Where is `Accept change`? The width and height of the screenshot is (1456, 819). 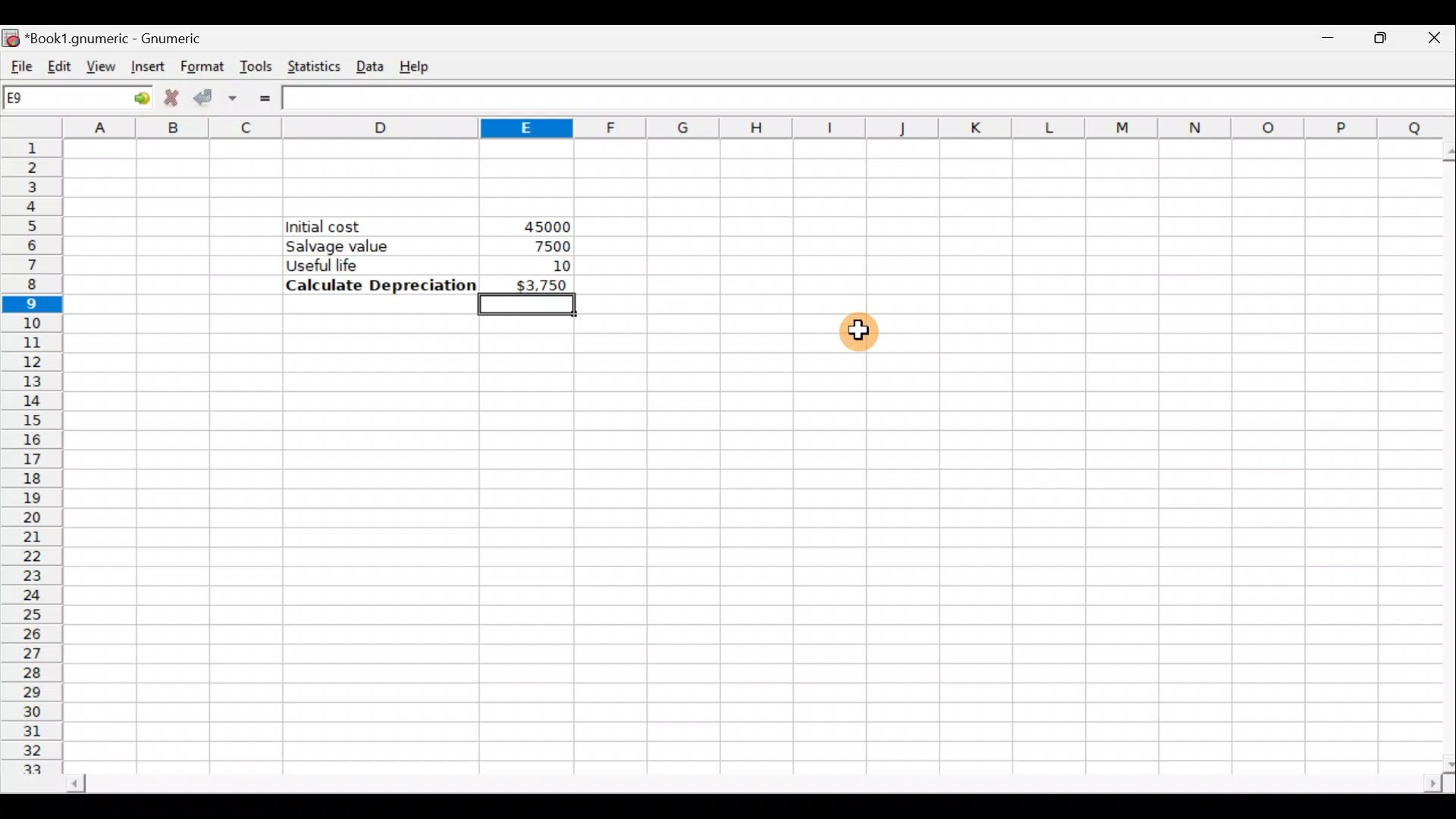 Accept change is located at coordinates (219, 96).